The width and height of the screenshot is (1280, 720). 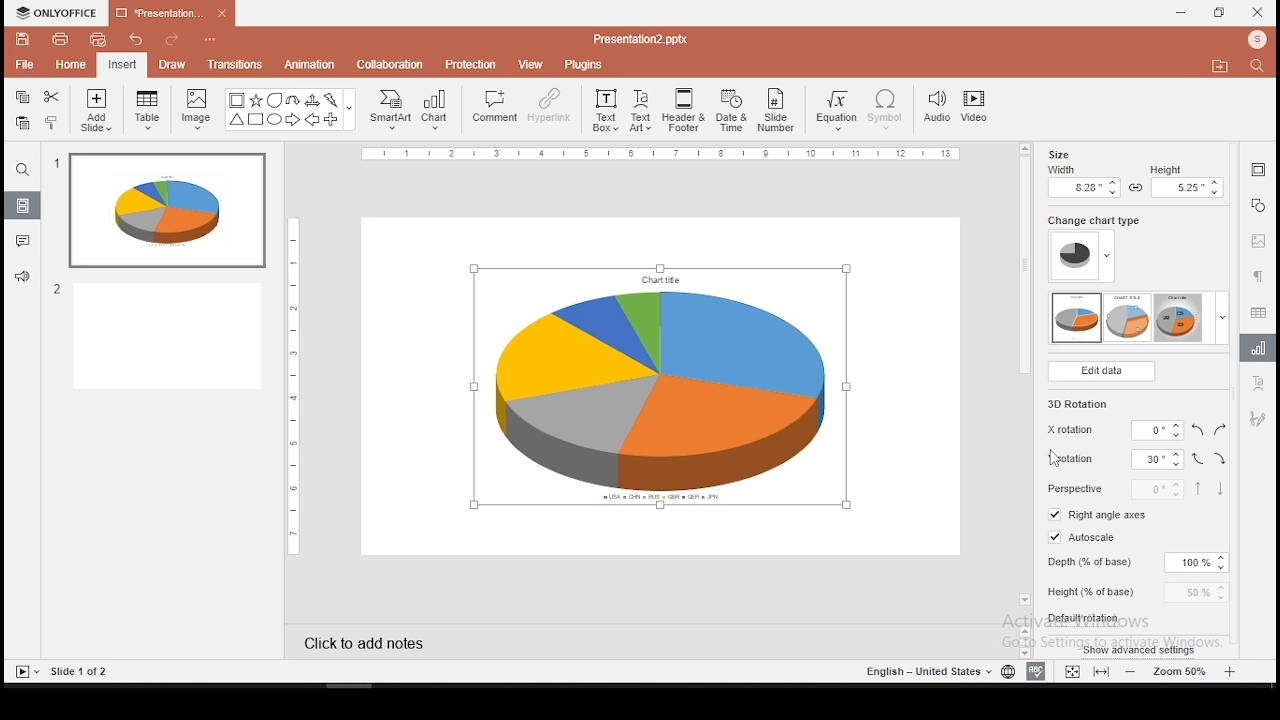 I want to click on paragraph settings, so click(x=1258, y=275).